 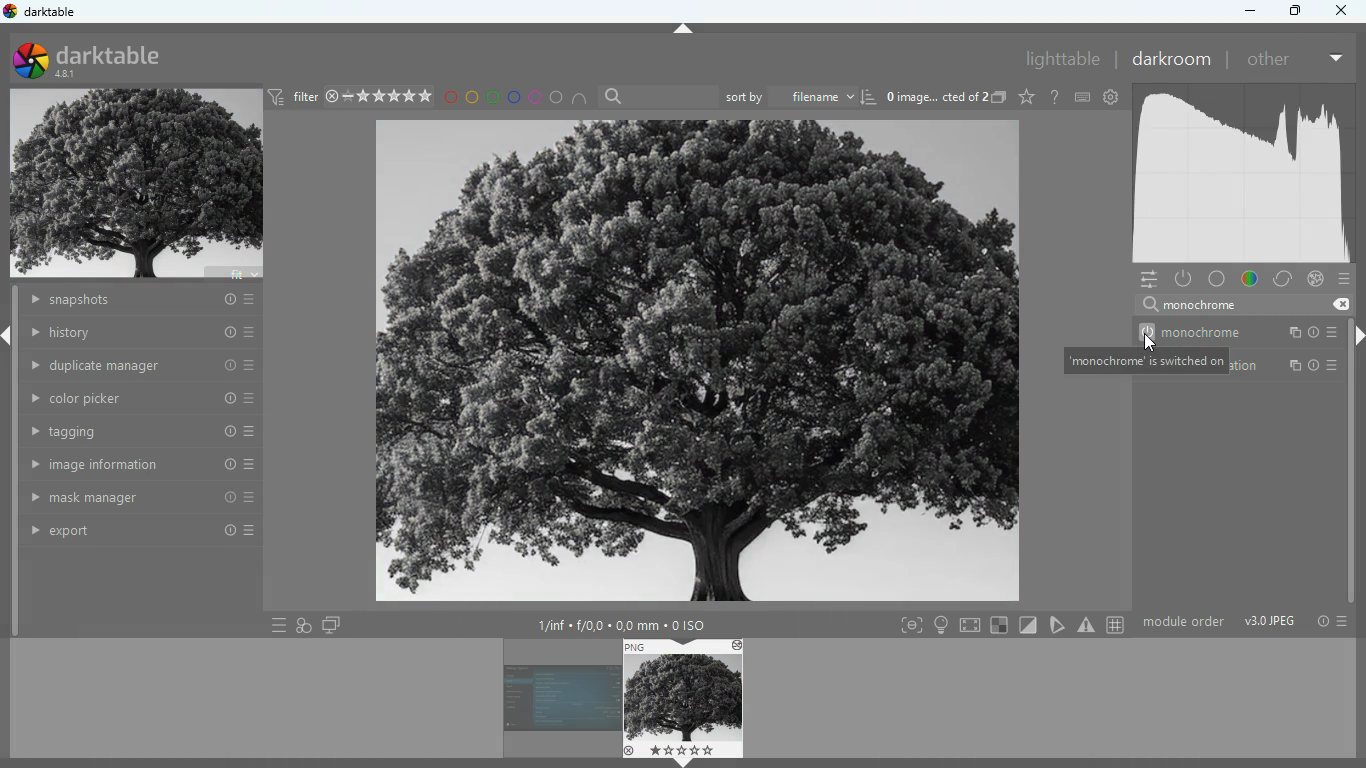 What do you see at coordinates (470, 98) in the screenshot?
I see `yellow` at bounding box center [470, 98].